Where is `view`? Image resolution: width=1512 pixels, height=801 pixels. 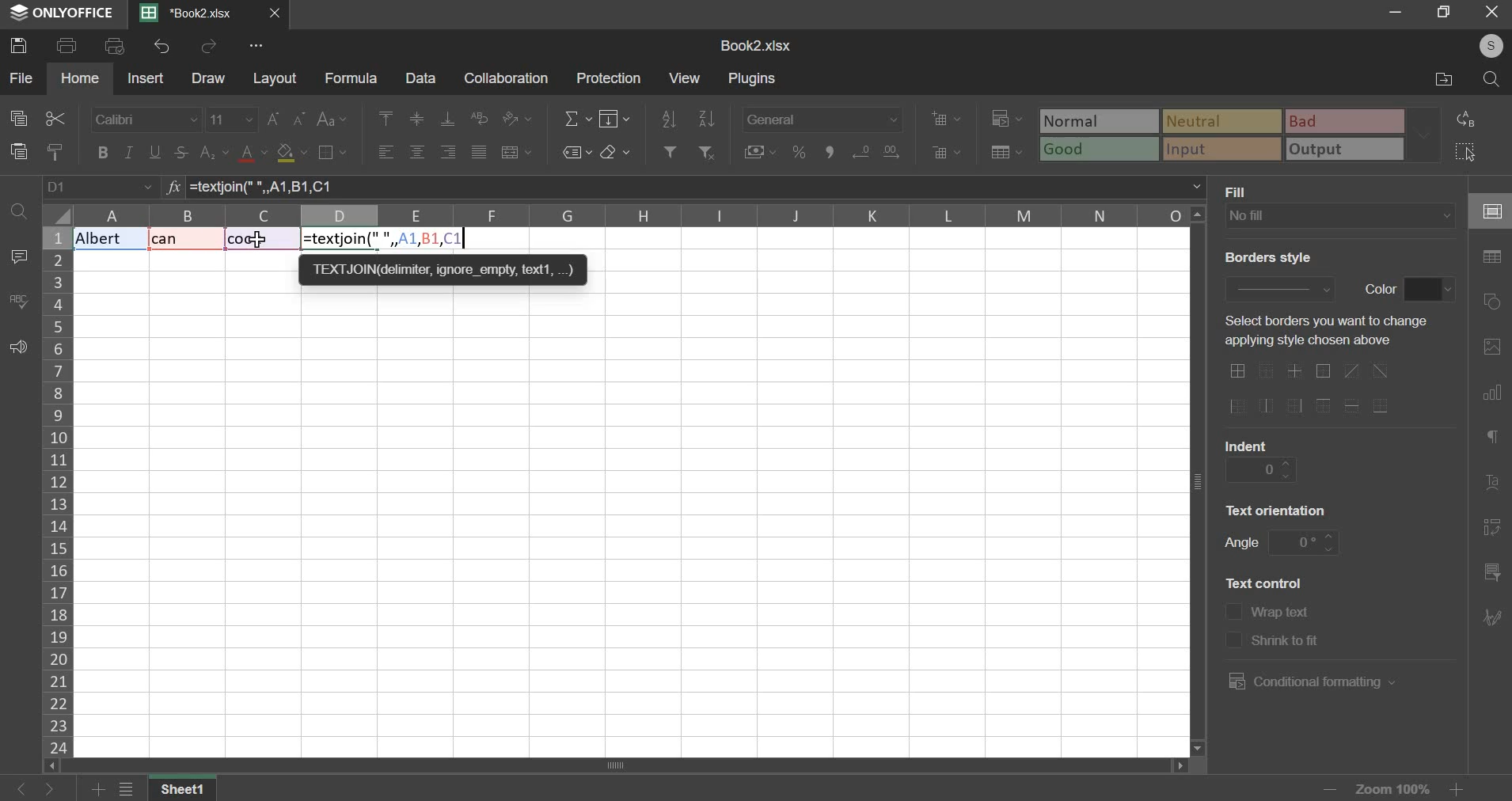
view is located at coordinates (684, 77).